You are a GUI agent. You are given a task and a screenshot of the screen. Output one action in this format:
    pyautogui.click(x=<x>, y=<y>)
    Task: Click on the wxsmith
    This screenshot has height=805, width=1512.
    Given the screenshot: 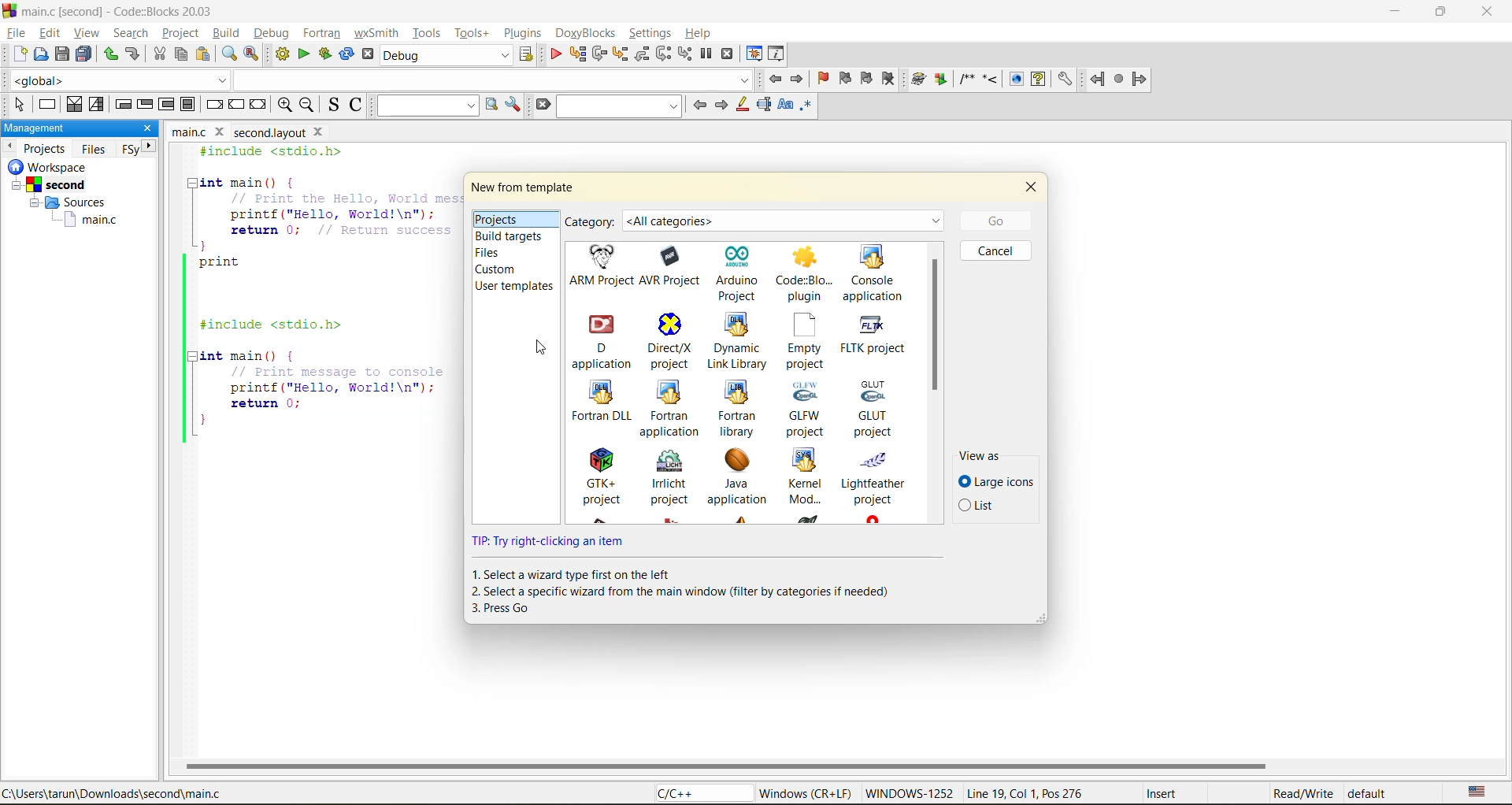 What is the action you would take?
    pyautogui.click(x=381, y=35)
    